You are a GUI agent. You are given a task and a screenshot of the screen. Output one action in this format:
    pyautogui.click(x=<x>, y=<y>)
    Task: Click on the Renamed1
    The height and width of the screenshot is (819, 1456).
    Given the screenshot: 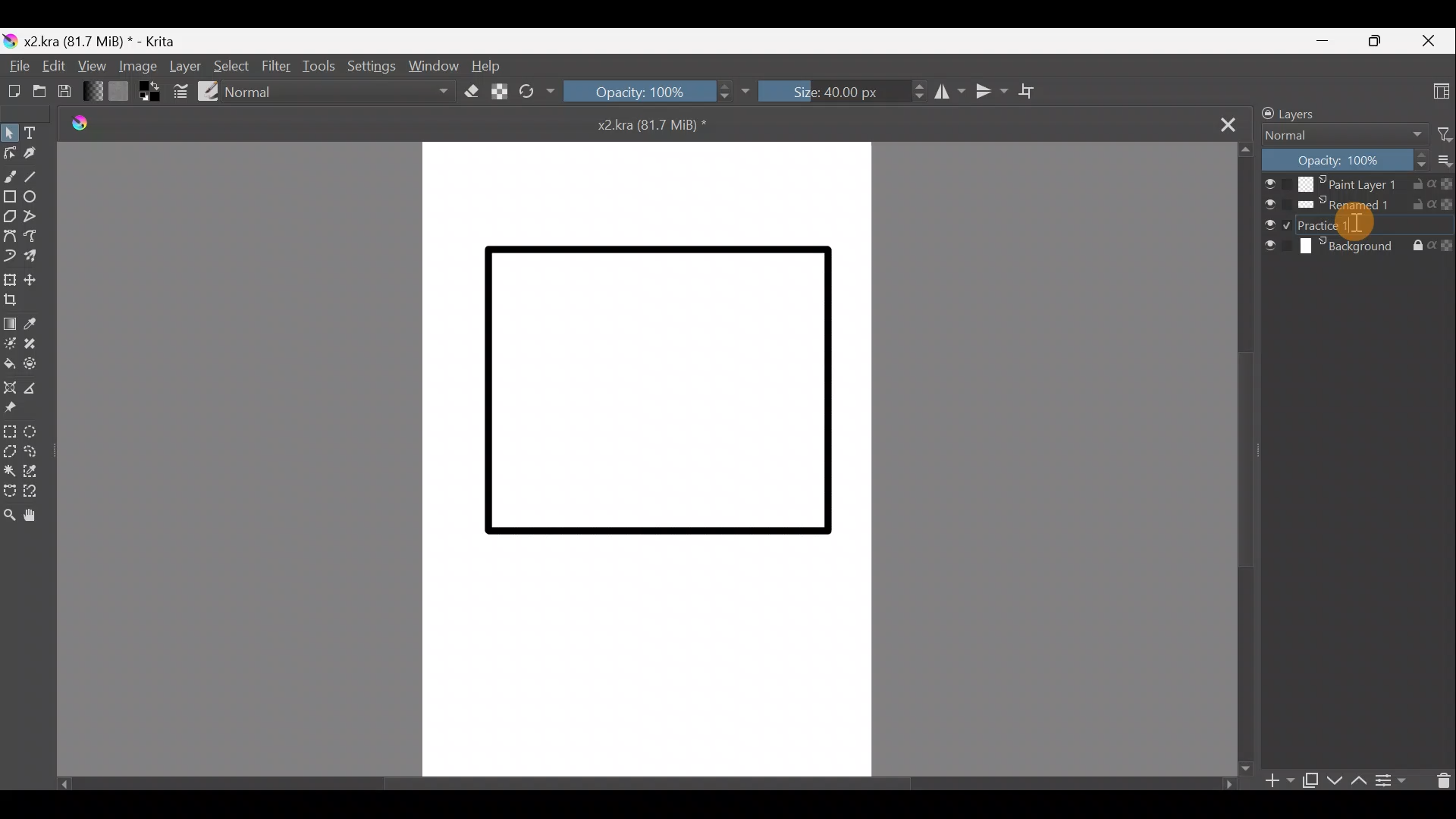 What is the action you would take?
    pyautogui.click(x=1358, y=206)
    